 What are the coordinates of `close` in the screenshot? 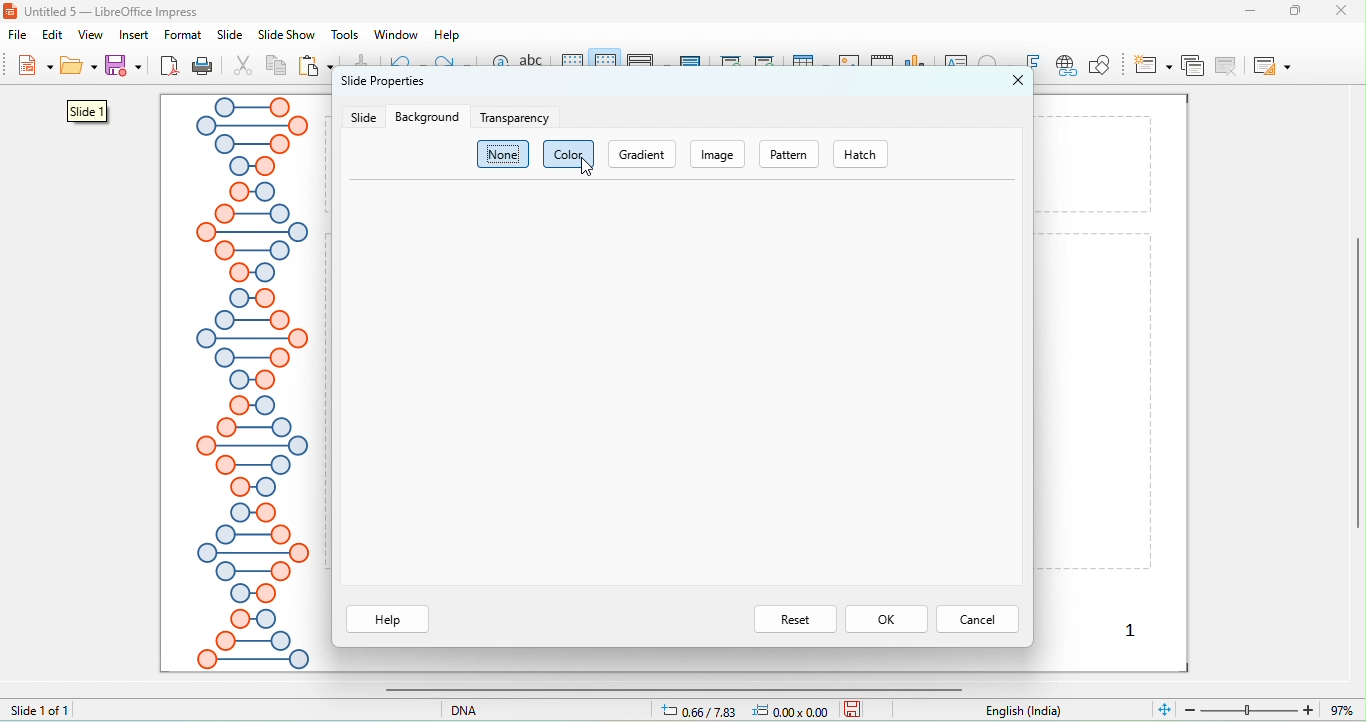 It's located at (1019, 80).